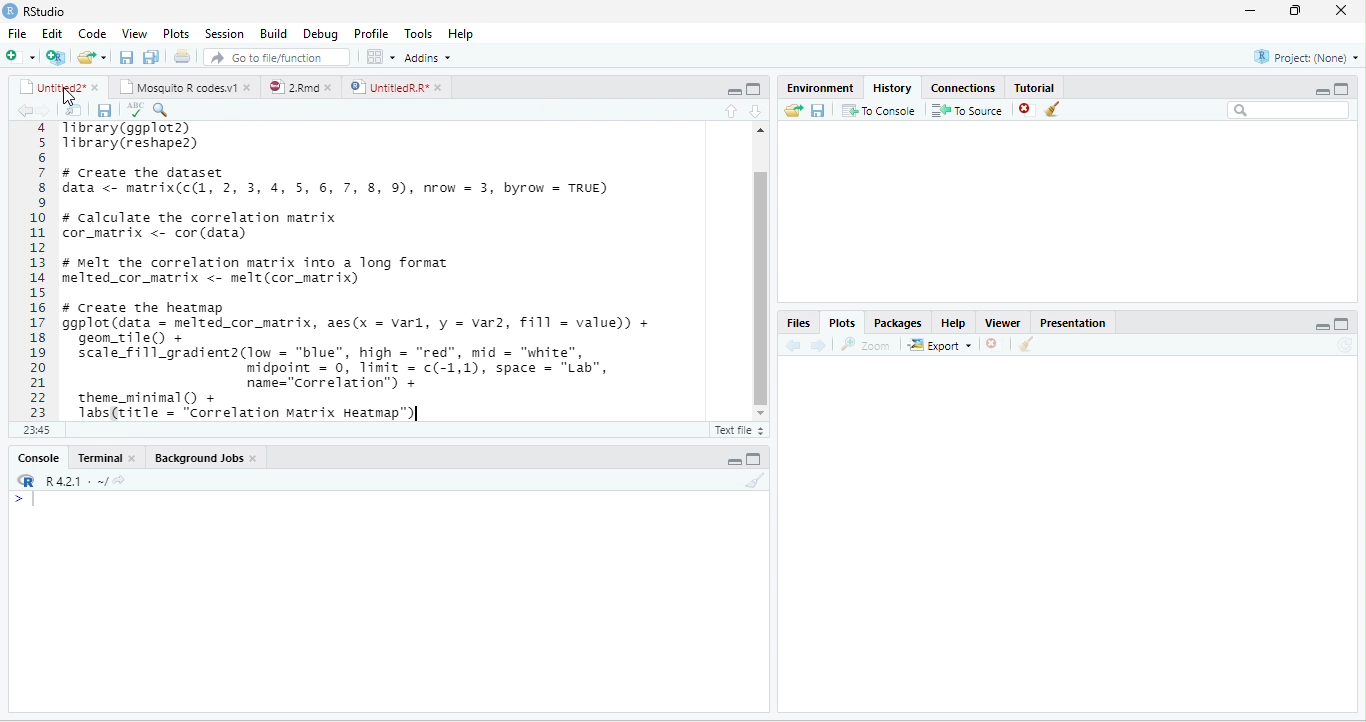  I want to click on Backgroun jobs, so click(217, 458).